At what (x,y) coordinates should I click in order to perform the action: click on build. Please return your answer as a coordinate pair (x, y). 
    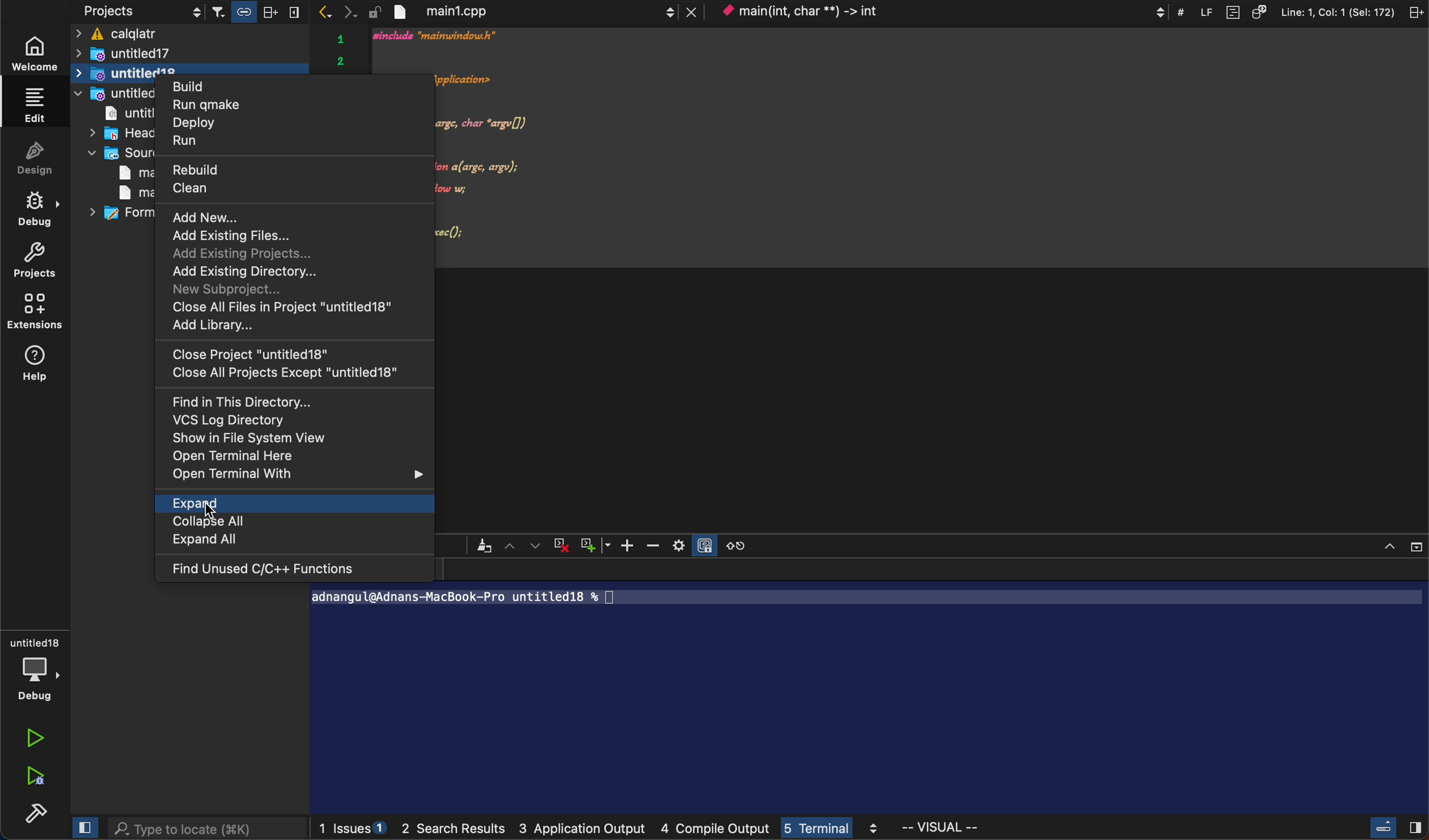
    Looking at the image, I should click on (32, 812).